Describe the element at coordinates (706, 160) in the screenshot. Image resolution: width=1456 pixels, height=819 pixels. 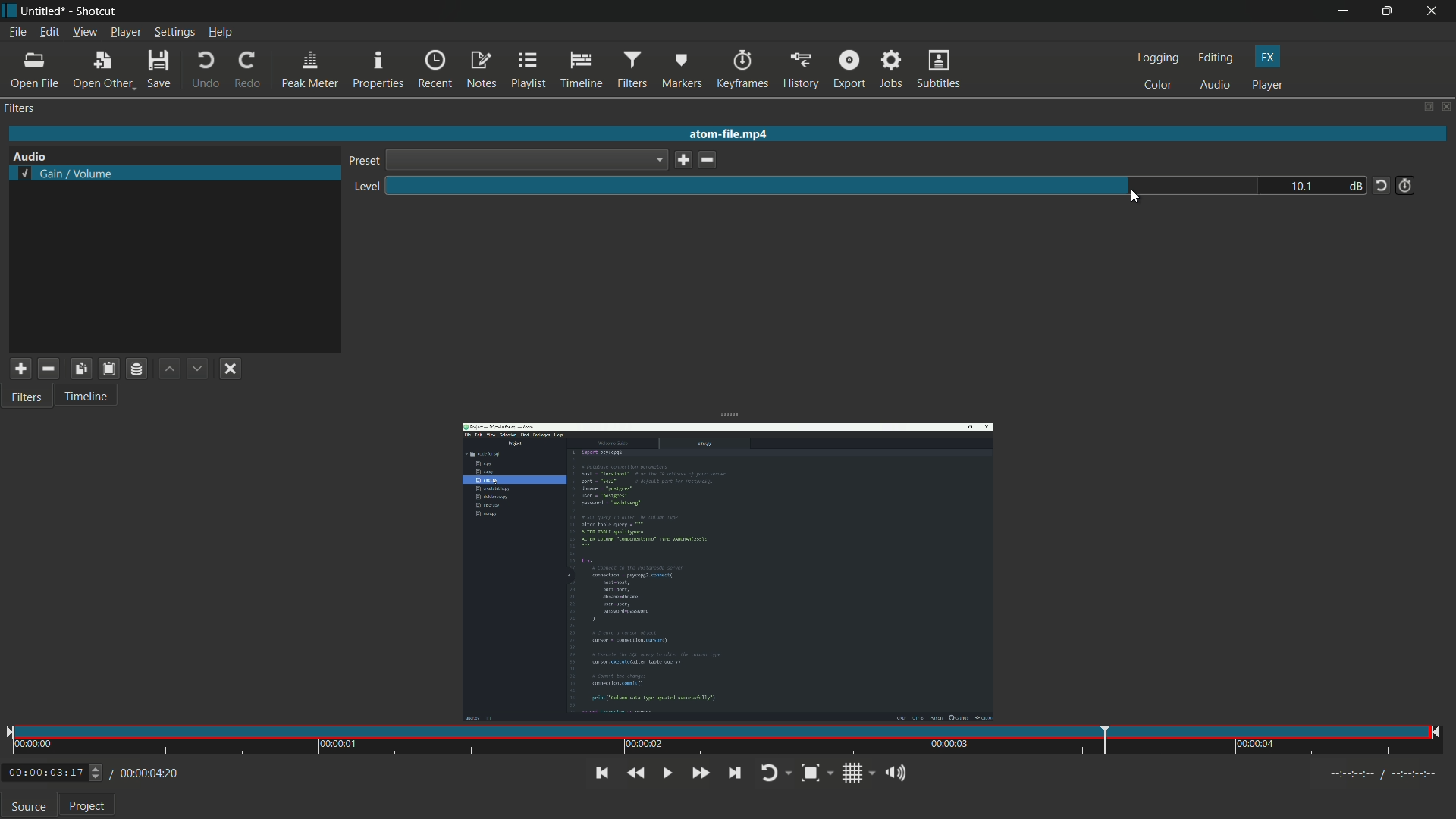
I see `delete` at that location.